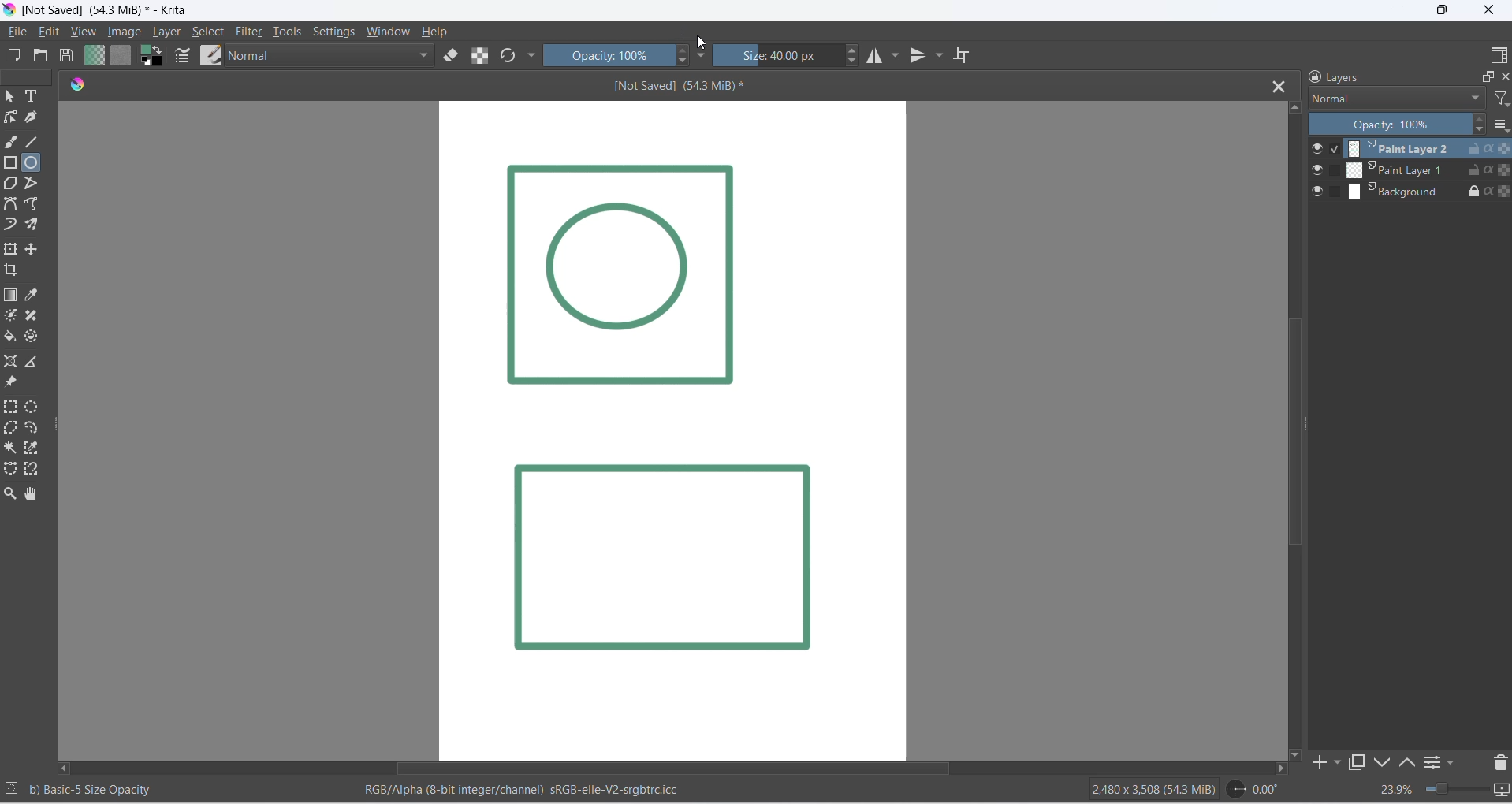 Image resolution: width=1512 pixels, height=804 pixels. What do you see at coordinates (36, 430) in the screenshot?
I see `curve selection tool` at bounding box center [36, 430].